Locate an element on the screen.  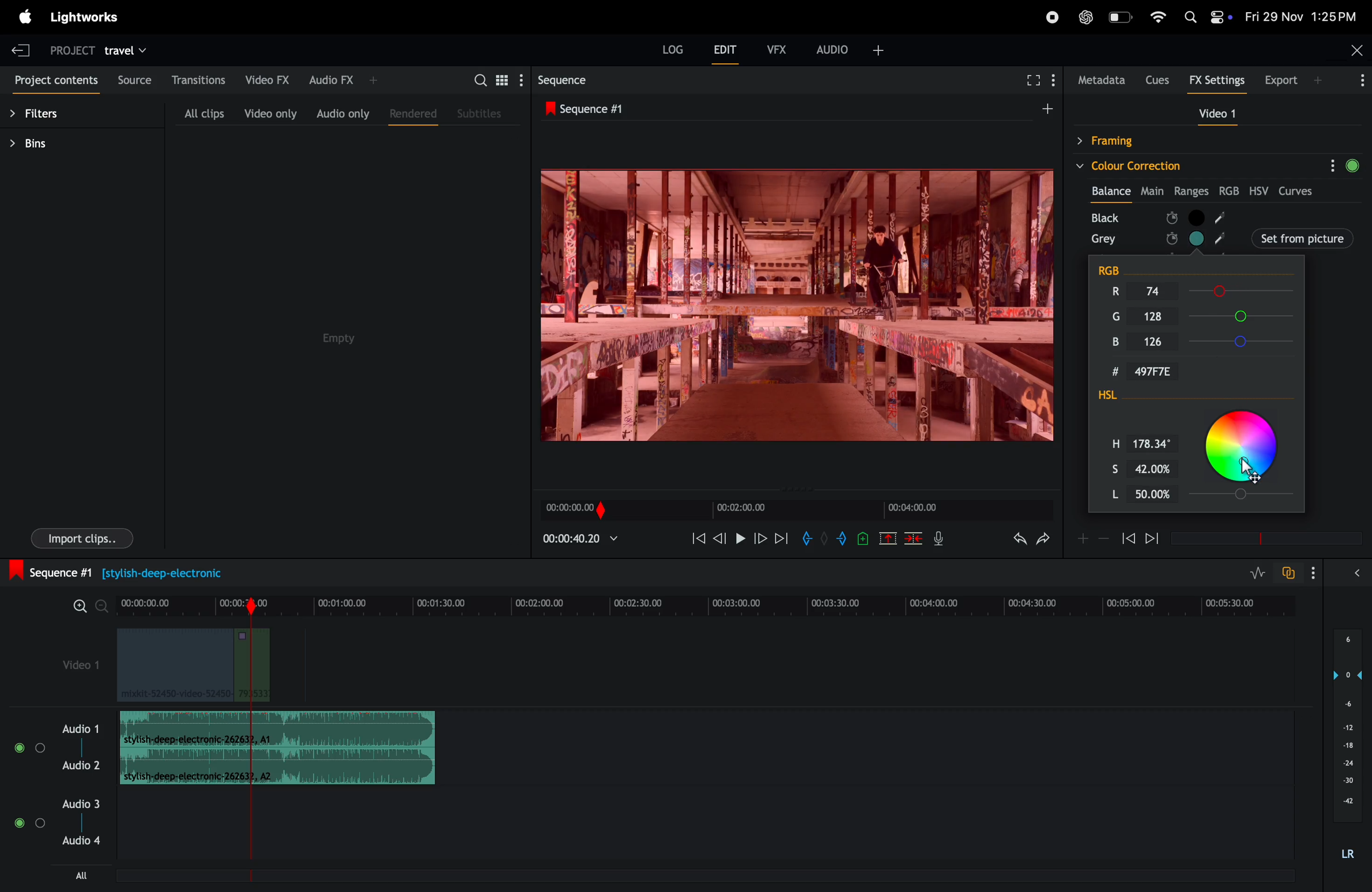
Audio Clip is located at coordinates (277, 765).